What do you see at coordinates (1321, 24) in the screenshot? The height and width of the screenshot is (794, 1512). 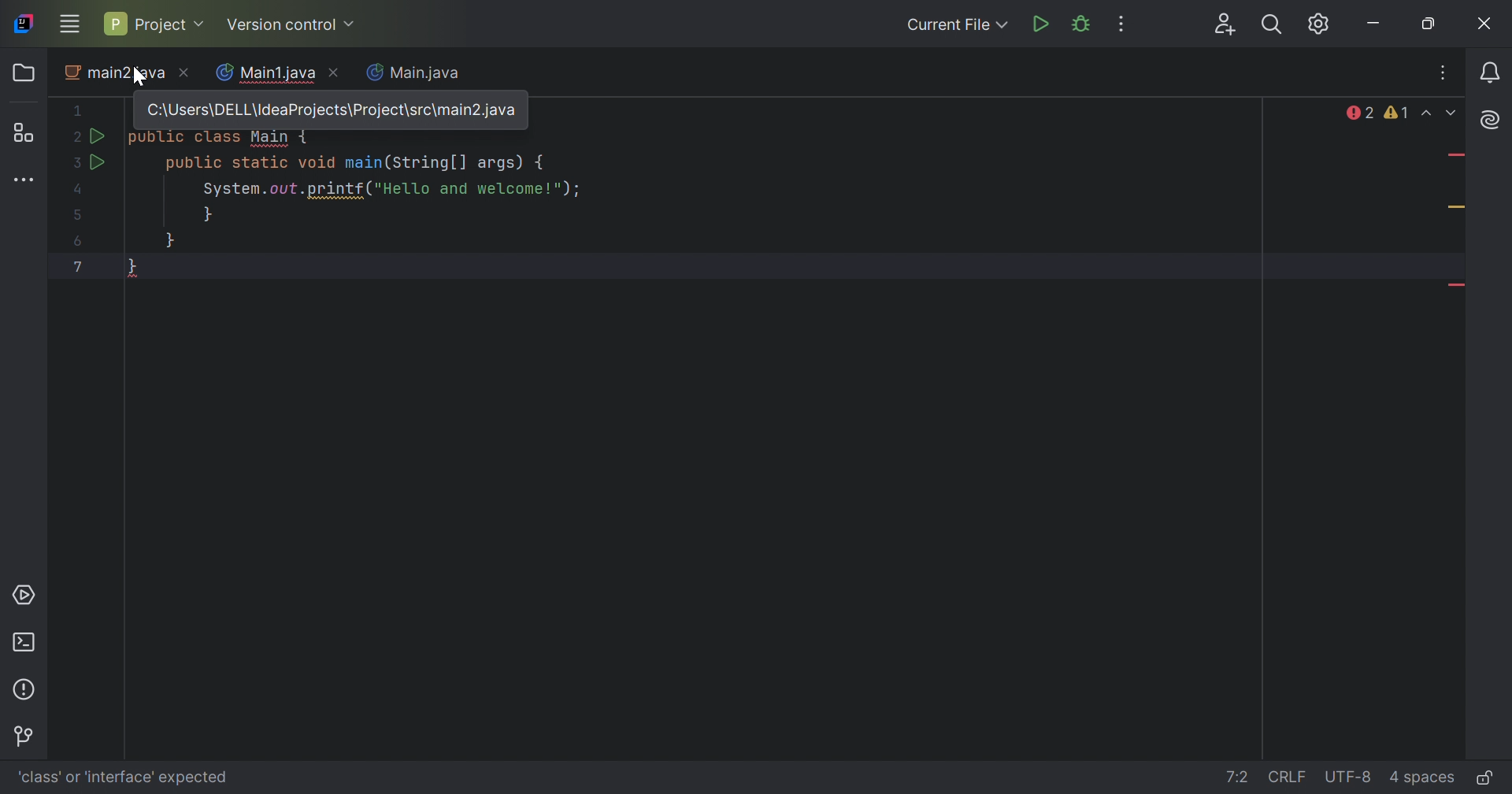 I see `Updates available. IDE and Project Settings. ` at bounding box center [1321, 24].